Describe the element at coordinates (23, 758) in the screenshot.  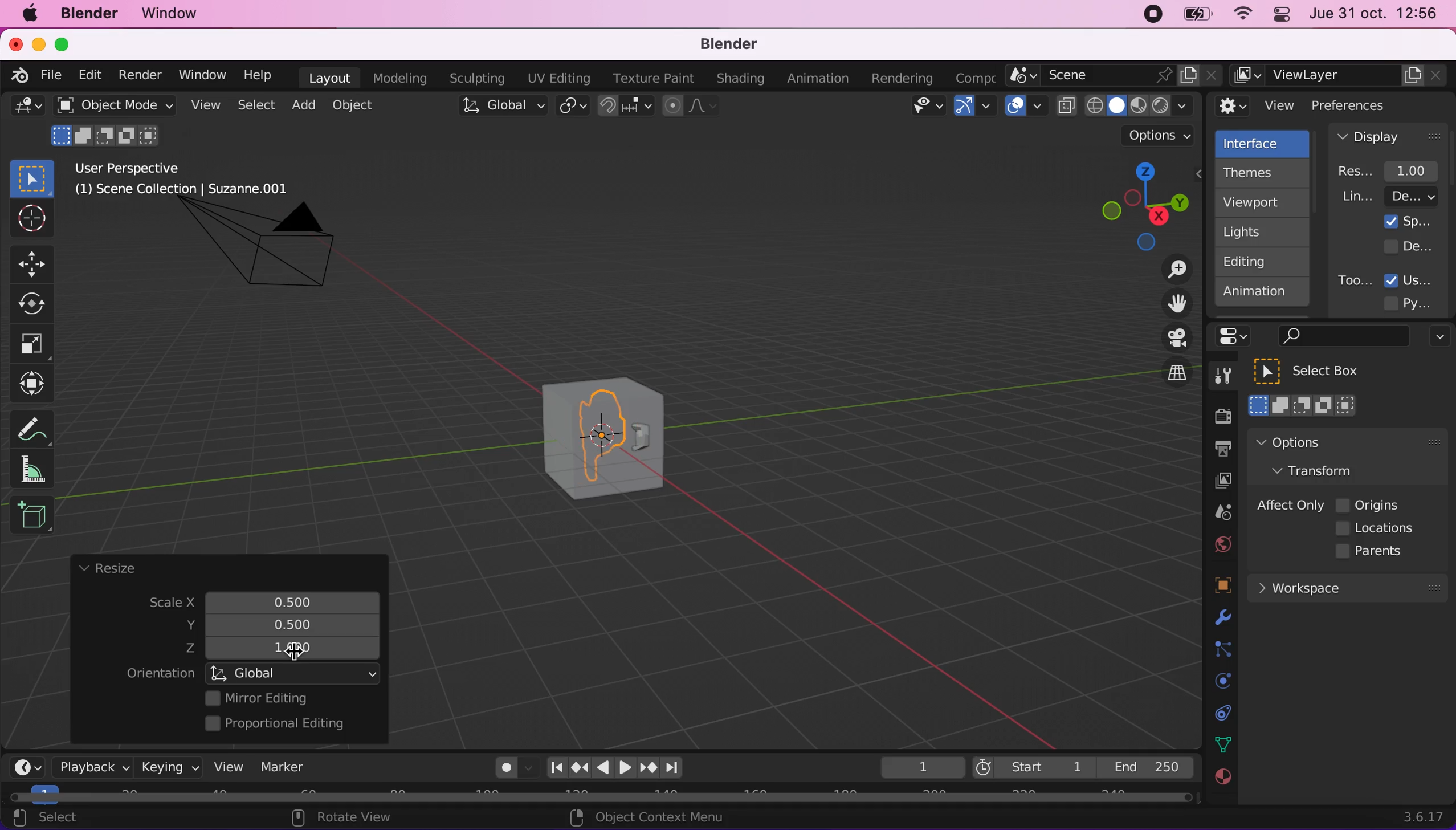
I see `editor type` at that location.